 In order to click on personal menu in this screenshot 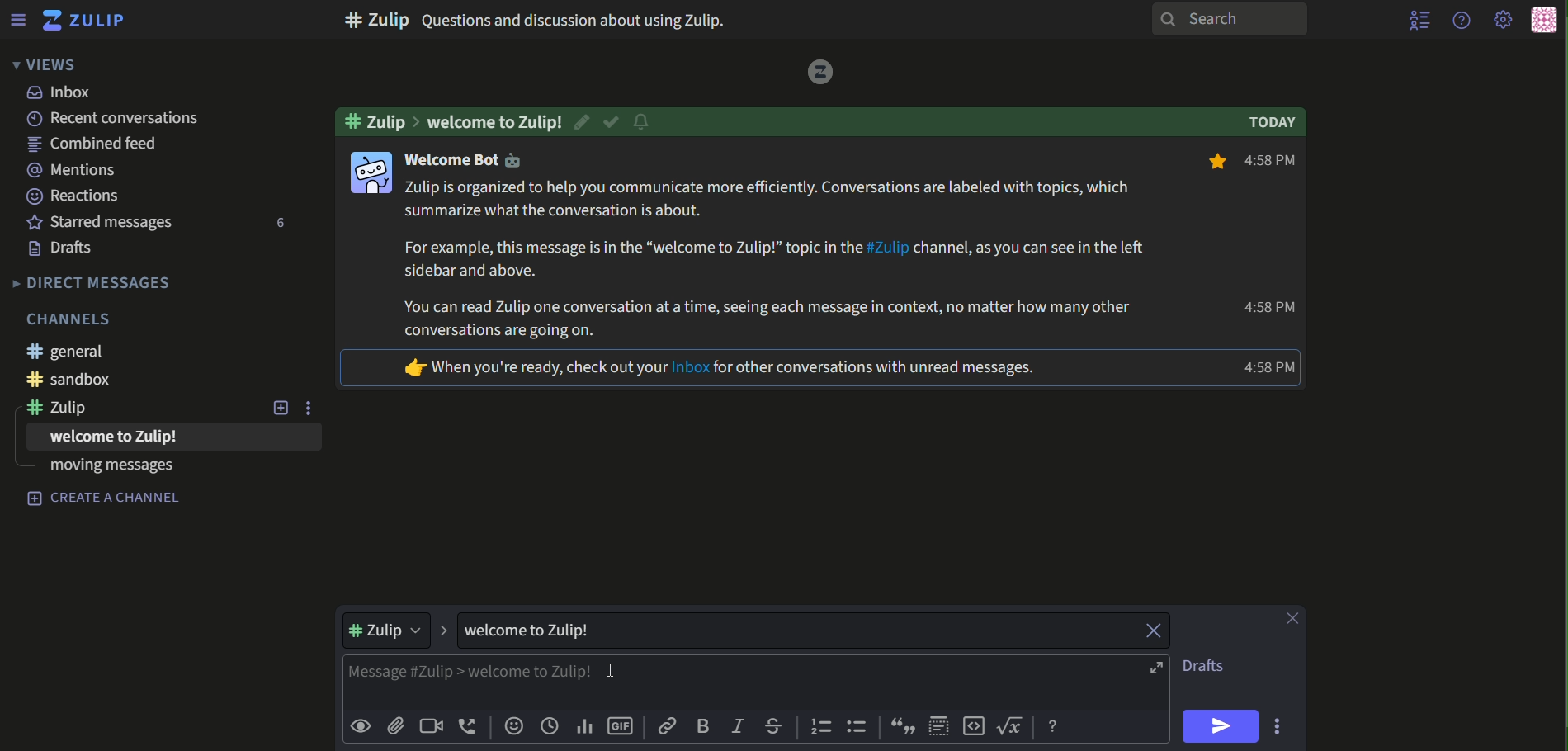, I will do `click(1543, 21)`.